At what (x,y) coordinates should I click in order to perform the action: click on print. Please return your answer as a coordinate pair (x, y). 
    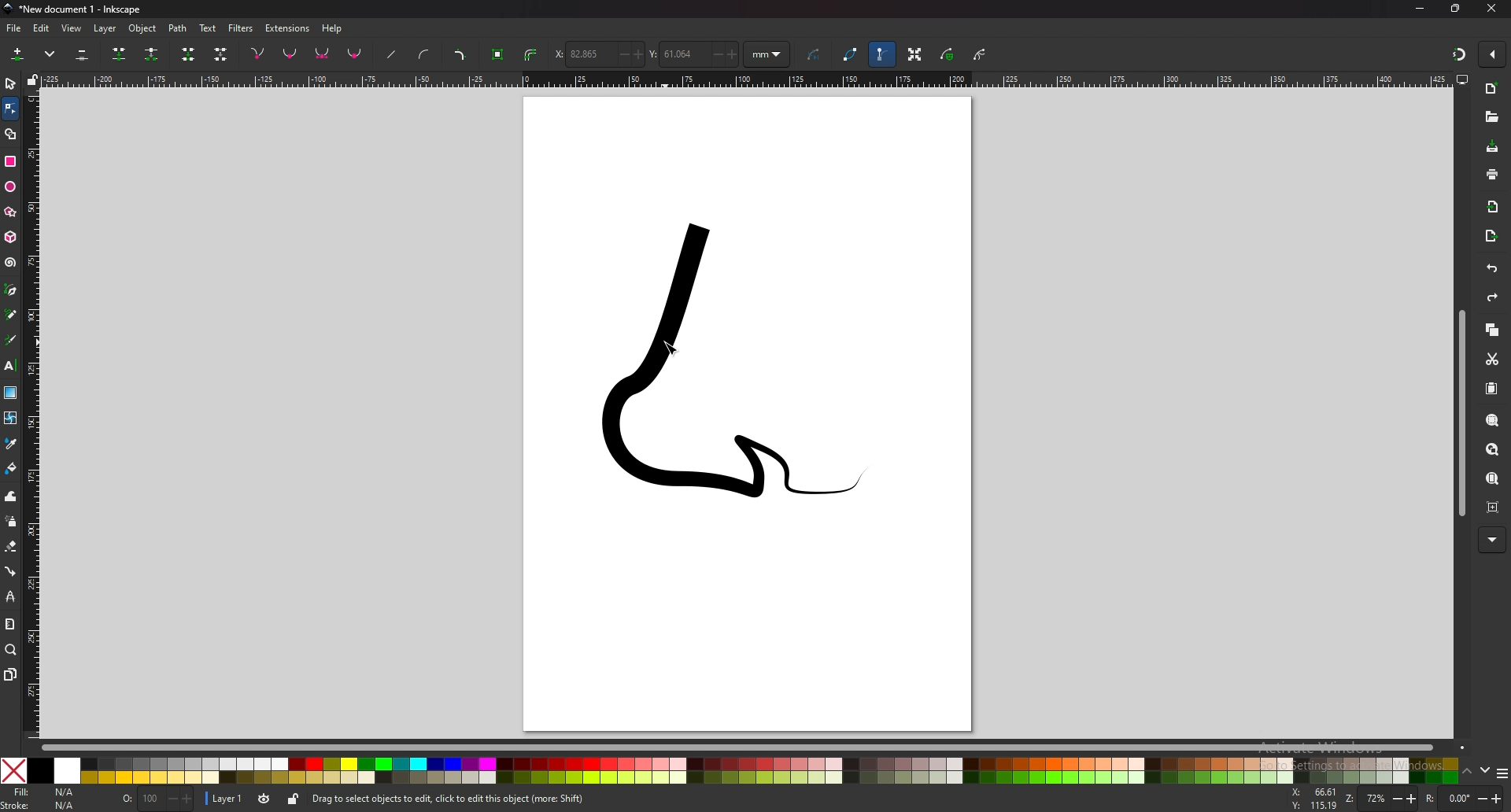
    Looking at the image, I should click on (1492, 173).